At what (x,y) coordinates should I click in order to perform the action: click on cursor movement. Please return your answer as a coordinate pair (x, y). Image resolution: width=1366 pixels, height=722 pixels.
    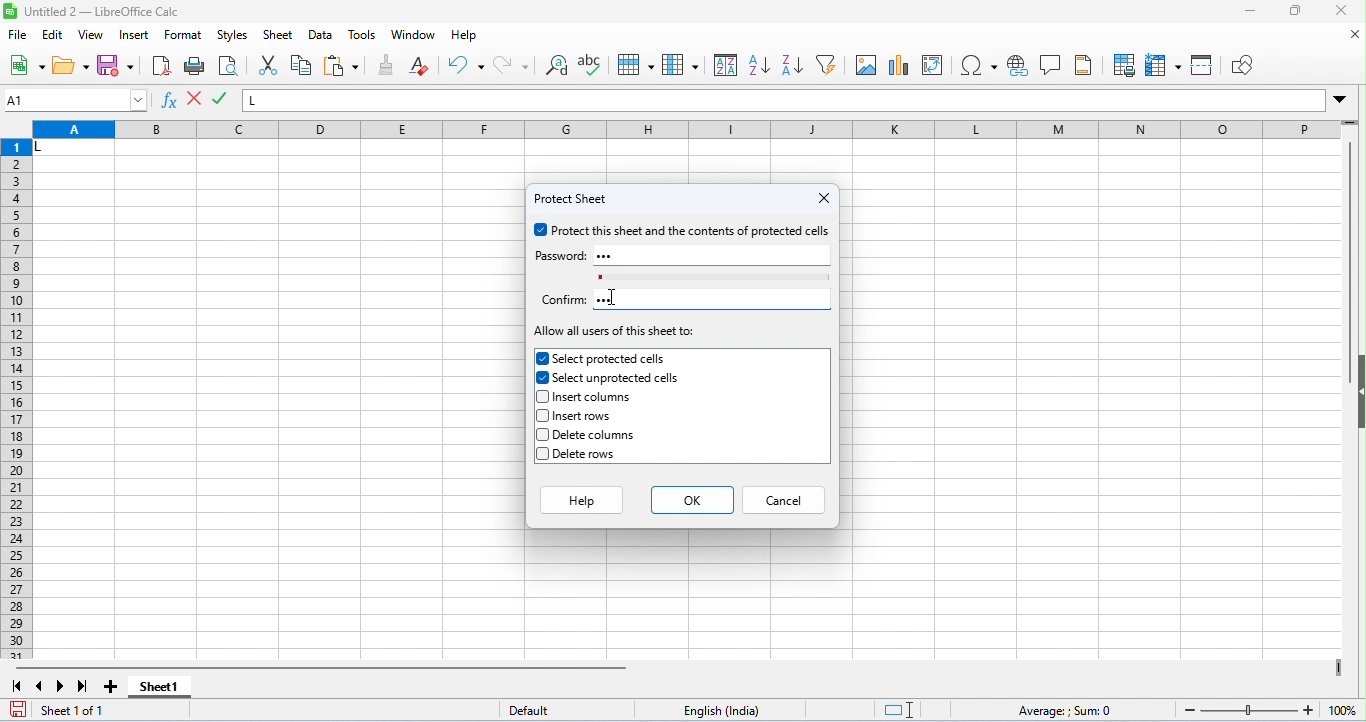
    Looking at the image, I should click on (617, 296).